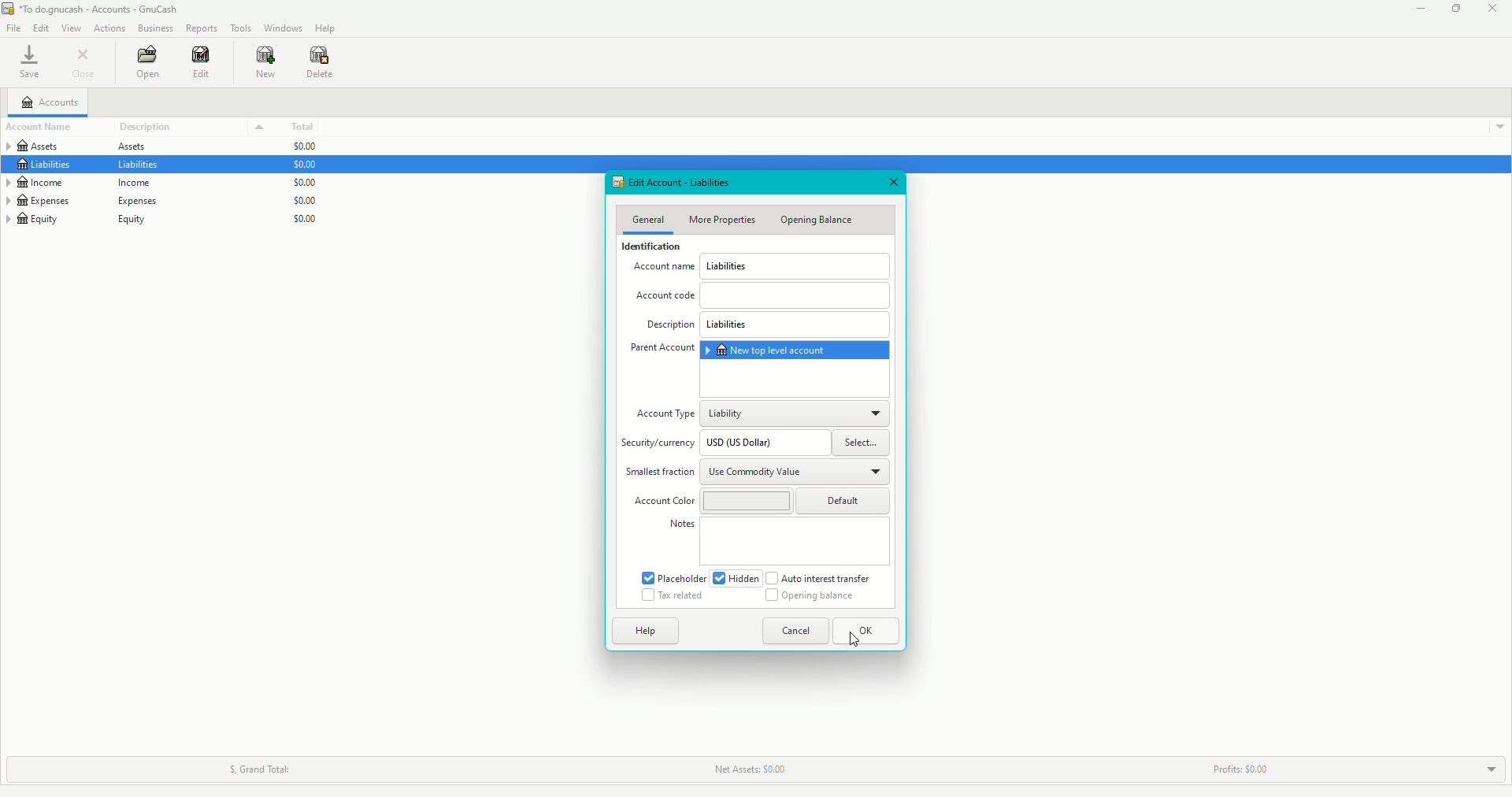  What do you see at coordinates (646, 632) in the screenshot?
I see `Help` at bounding box center [646, 632].